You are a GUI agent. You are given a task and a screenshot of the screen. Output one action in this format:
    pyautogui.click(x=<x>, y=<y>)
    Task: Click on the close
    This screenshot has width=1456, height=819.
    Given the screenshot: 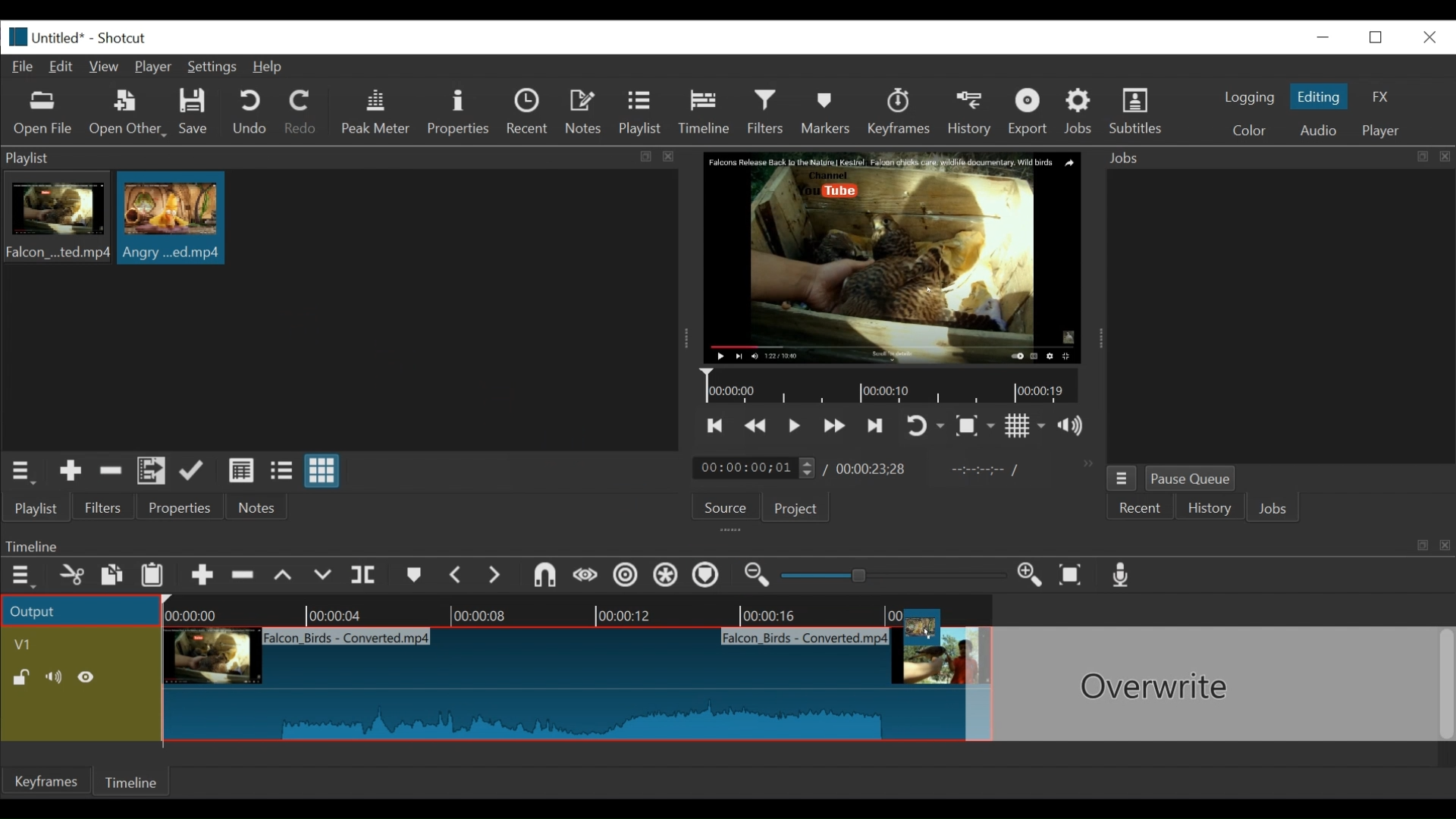 What is the action you would take?
    pyautogui.click(x=1428, y=36)
    